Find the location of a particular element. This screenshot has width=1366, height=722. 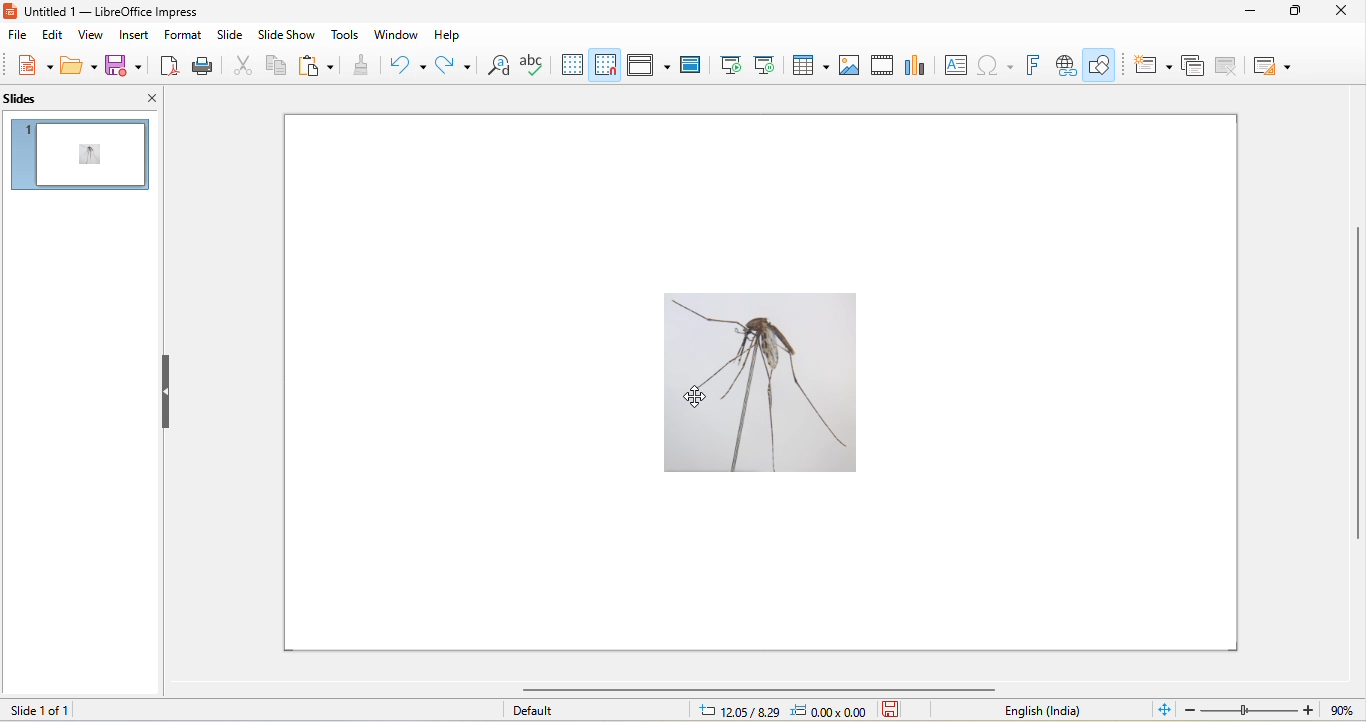

slideshow is located at coordinates (285, 35).